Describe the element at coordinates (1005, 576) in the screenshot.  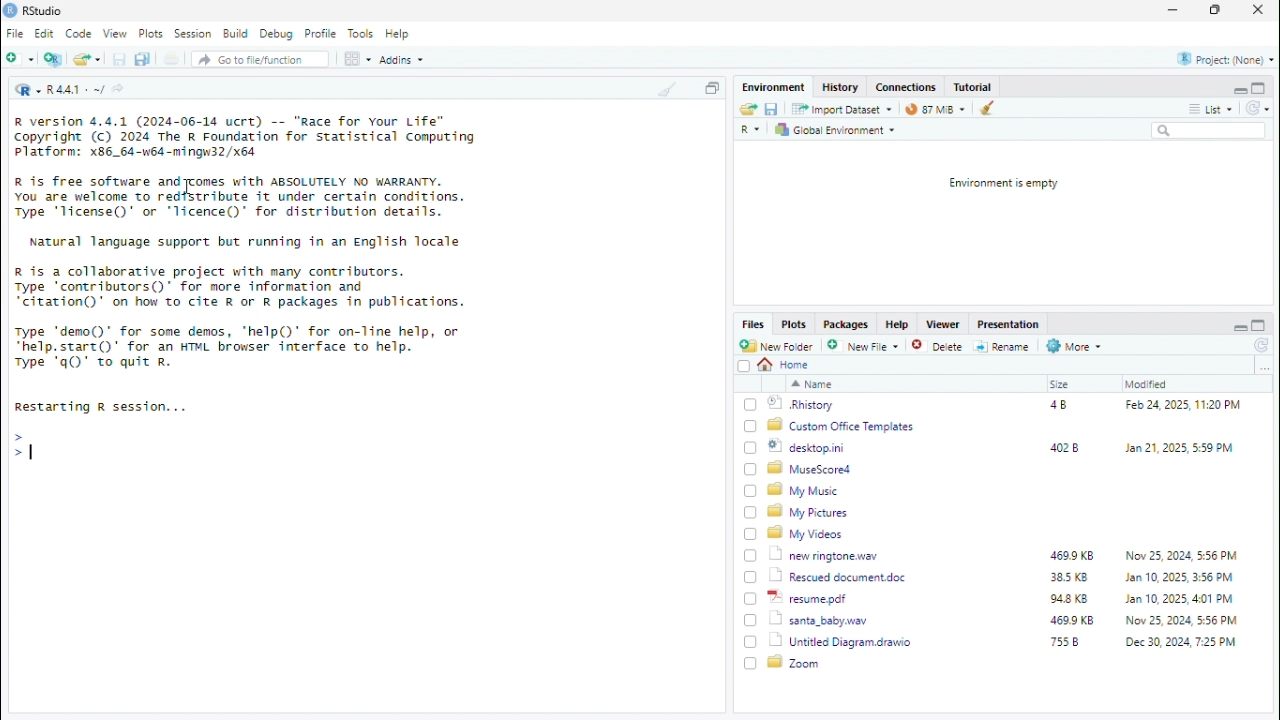
I see `Rescued document.doc 38.5KB Jan 10,2025 3:56 PM` at that location.